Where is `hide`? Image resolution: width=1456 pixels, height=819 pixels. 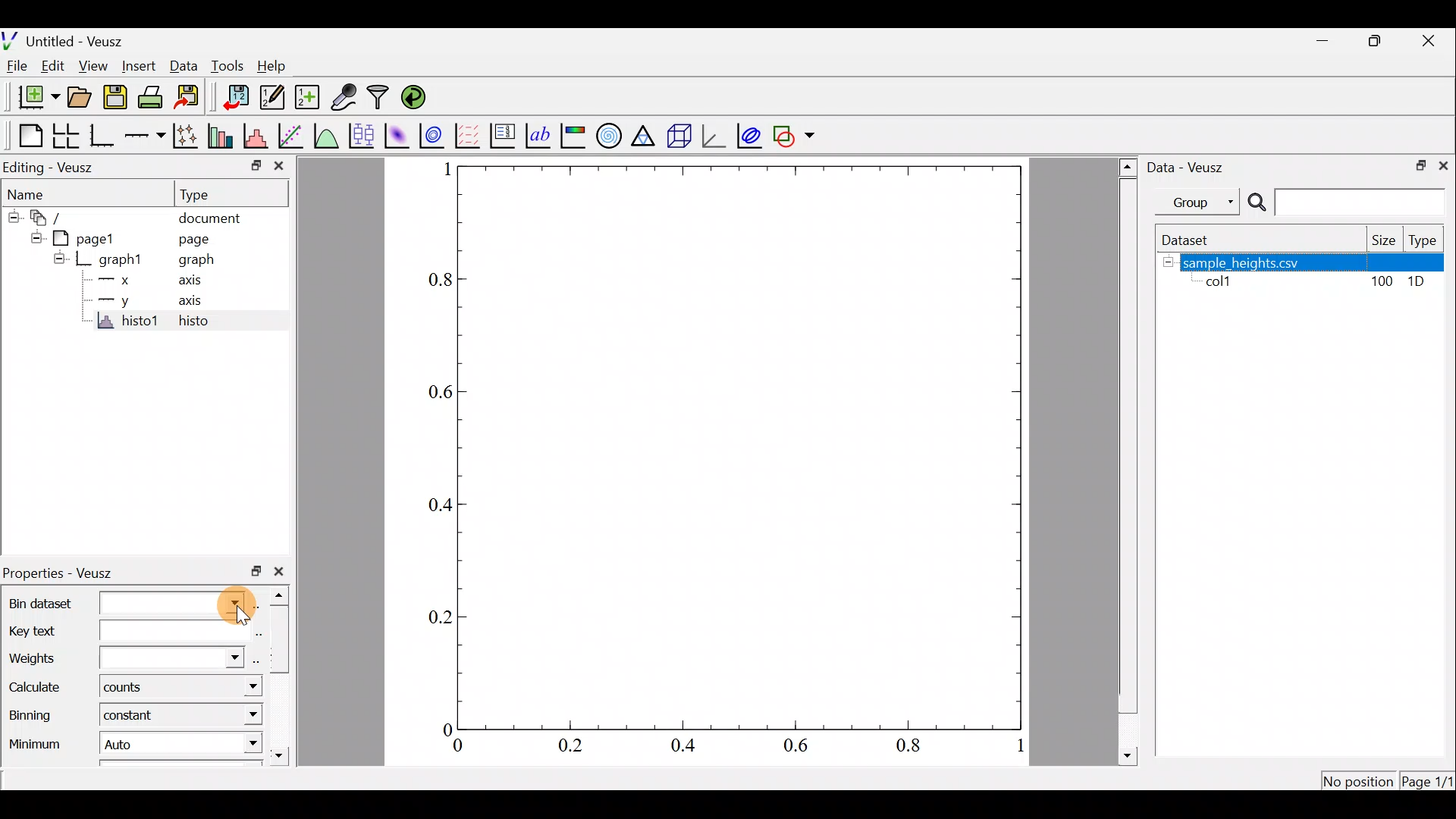
hide is located at coordinates (11, 218).